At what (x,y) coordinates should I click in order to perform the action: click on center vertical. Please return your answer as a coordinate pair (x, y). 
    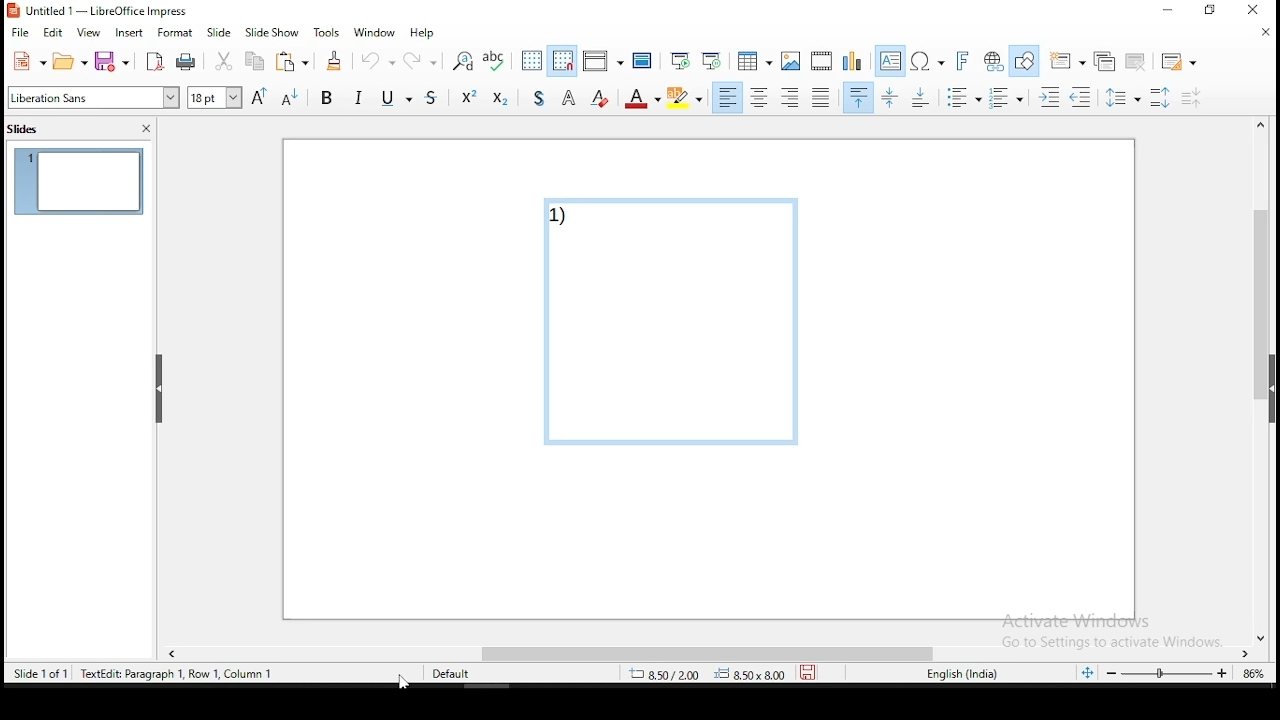
    Looking at the image, I should click on (892, 99).